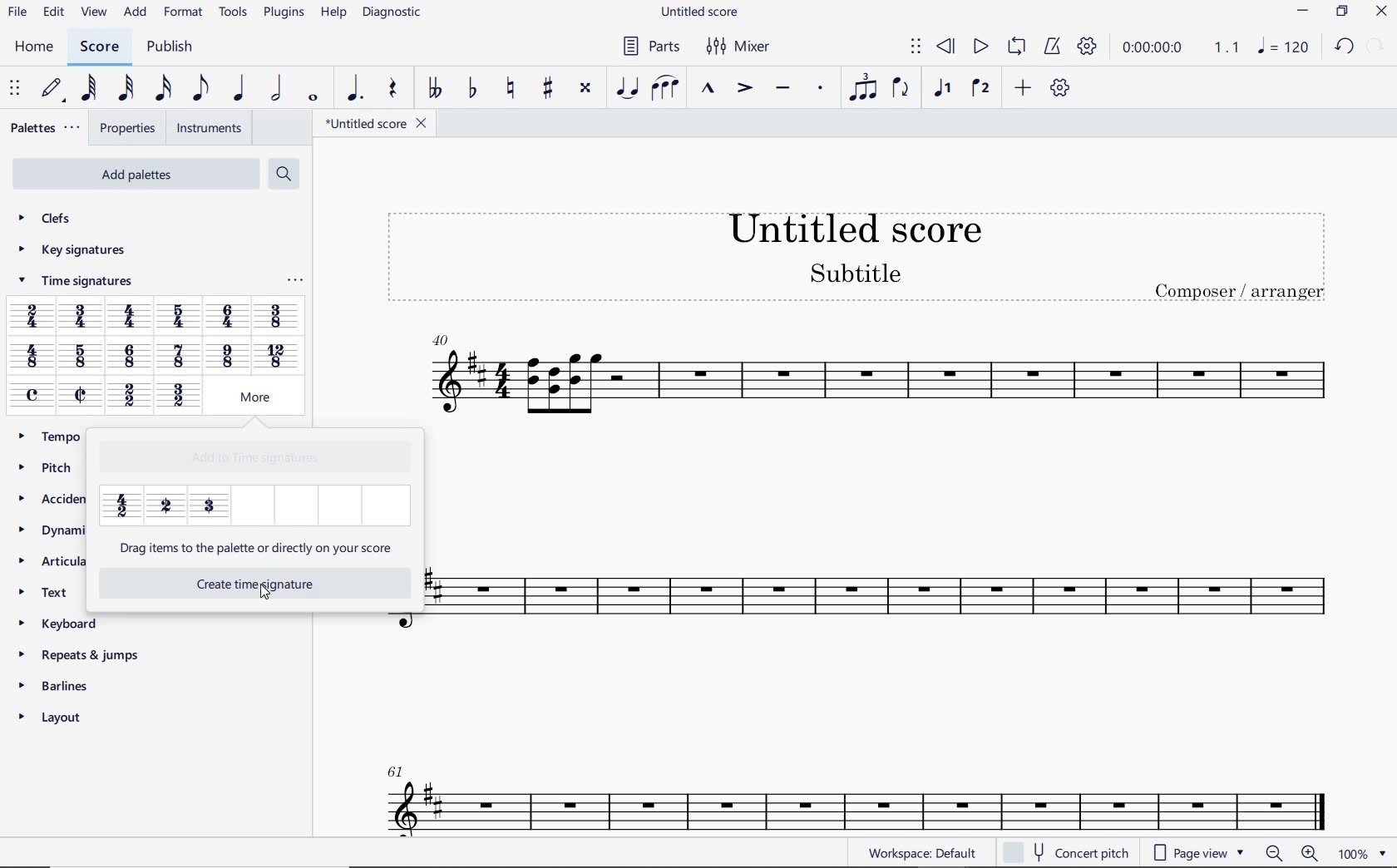 This screenshot has width=1397, height=868. I want to click on ADD, so click(136, 13).